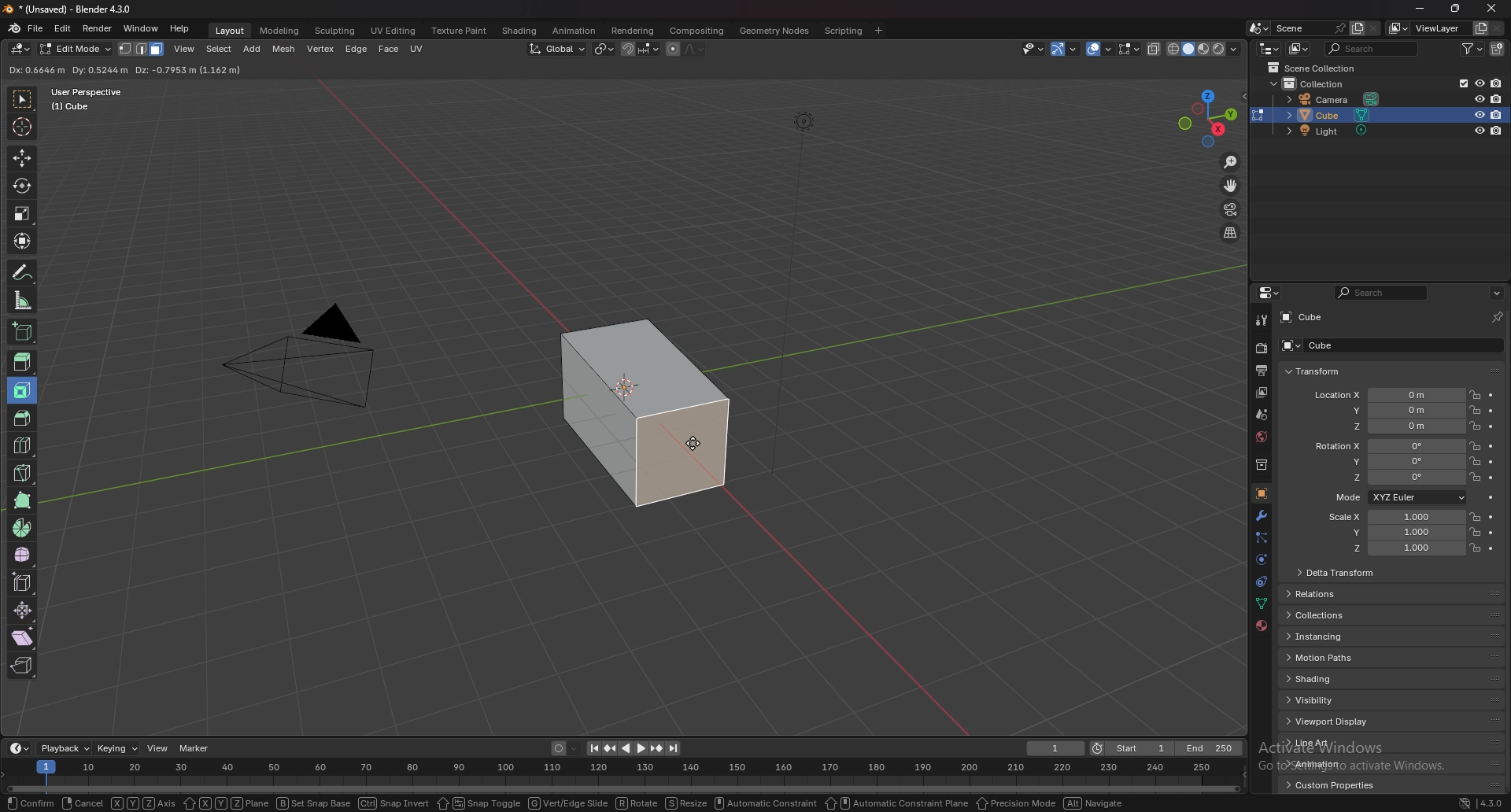 The image size is (1511, 812). Describe the element at coordinates (1129, 48) in the screenshot. I see `mesh edit mode` at that location.